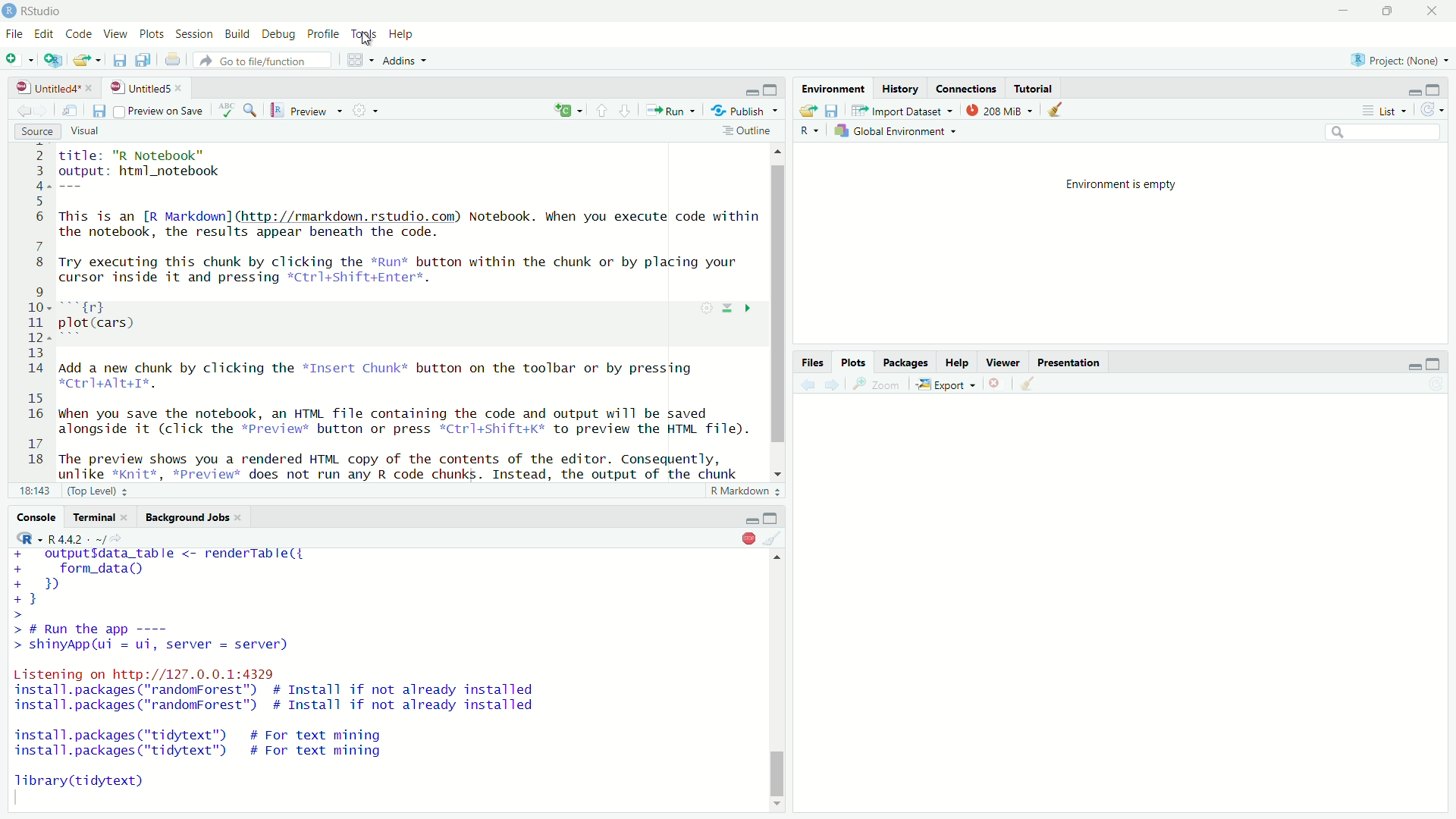  Describe the element at coordinates (602, 111) in the screenshot. I see `down` at that location.